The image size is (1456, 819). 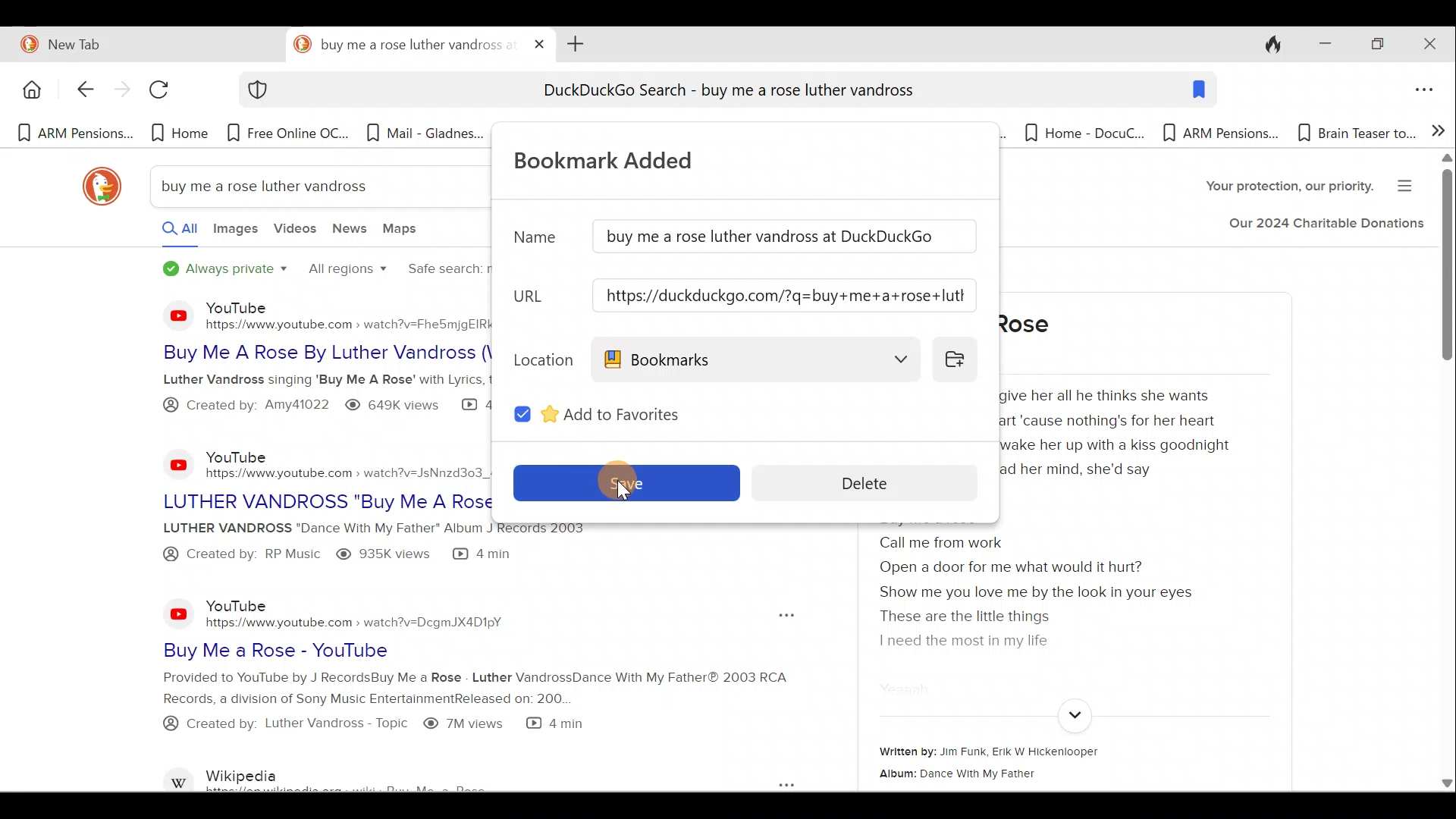 What do you see at coordinates (425, 137) in the screenshot?
I see `Bookmark 4` at bounding box center [425, 137].